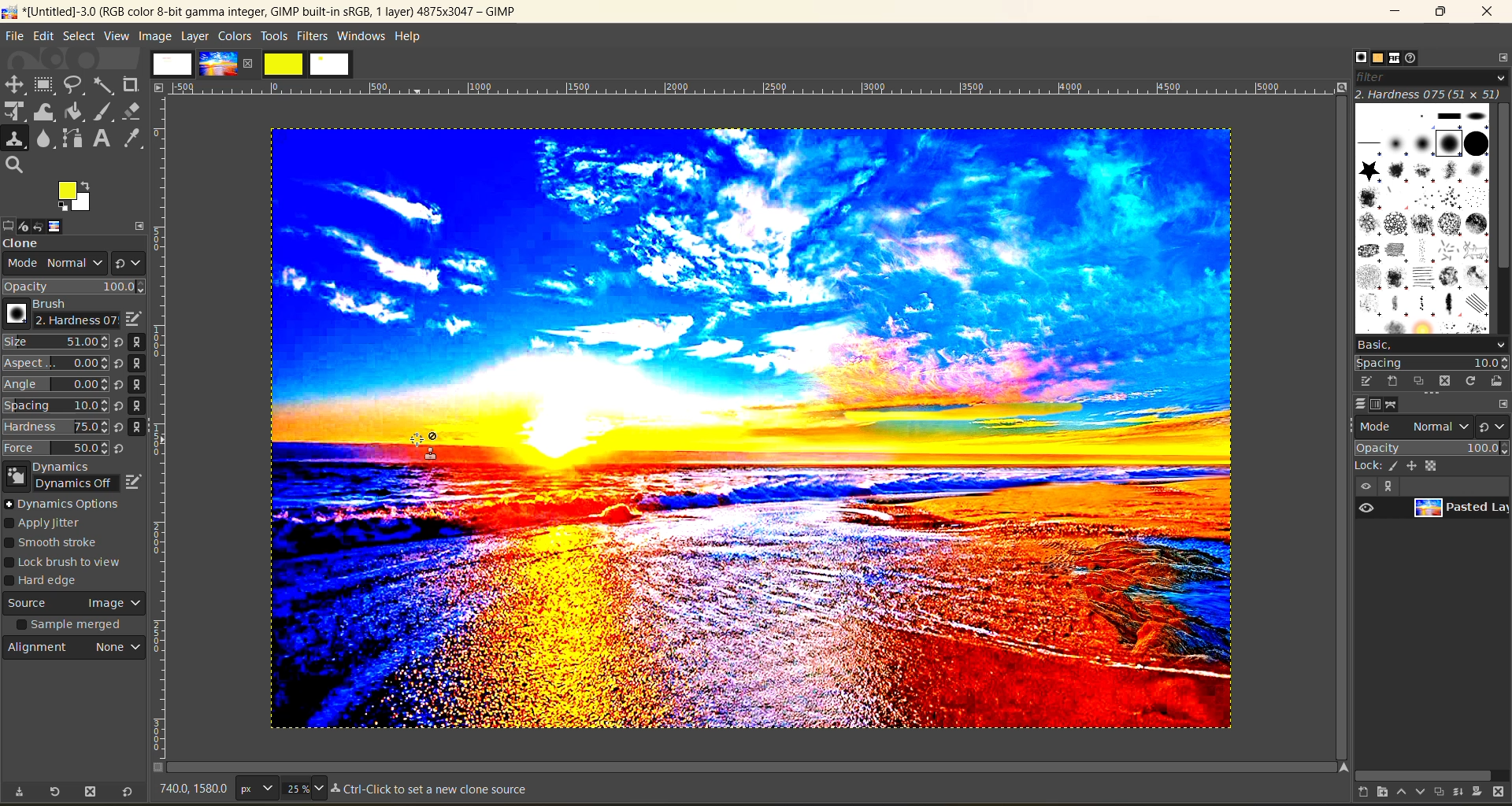  Describe the element at coordinates (15, 113) in the screenshot. I see `scale` at that location.